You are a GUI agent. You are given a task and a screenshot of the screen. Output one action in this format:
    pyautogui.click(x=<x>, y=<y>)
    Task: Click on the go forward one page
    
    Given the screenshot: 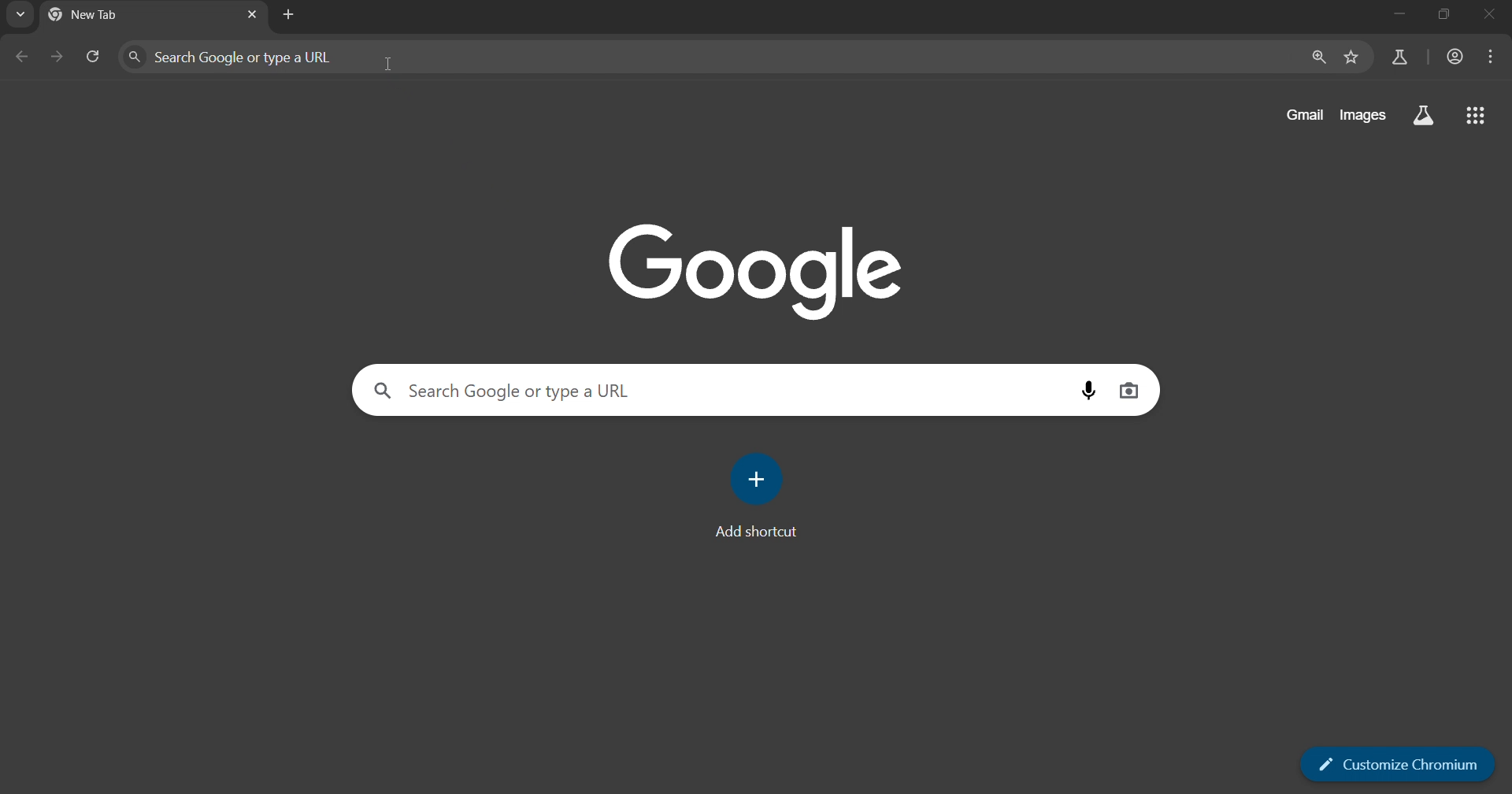 What is the action you would take?
    pyautogui.click(x=57, y=58)
    